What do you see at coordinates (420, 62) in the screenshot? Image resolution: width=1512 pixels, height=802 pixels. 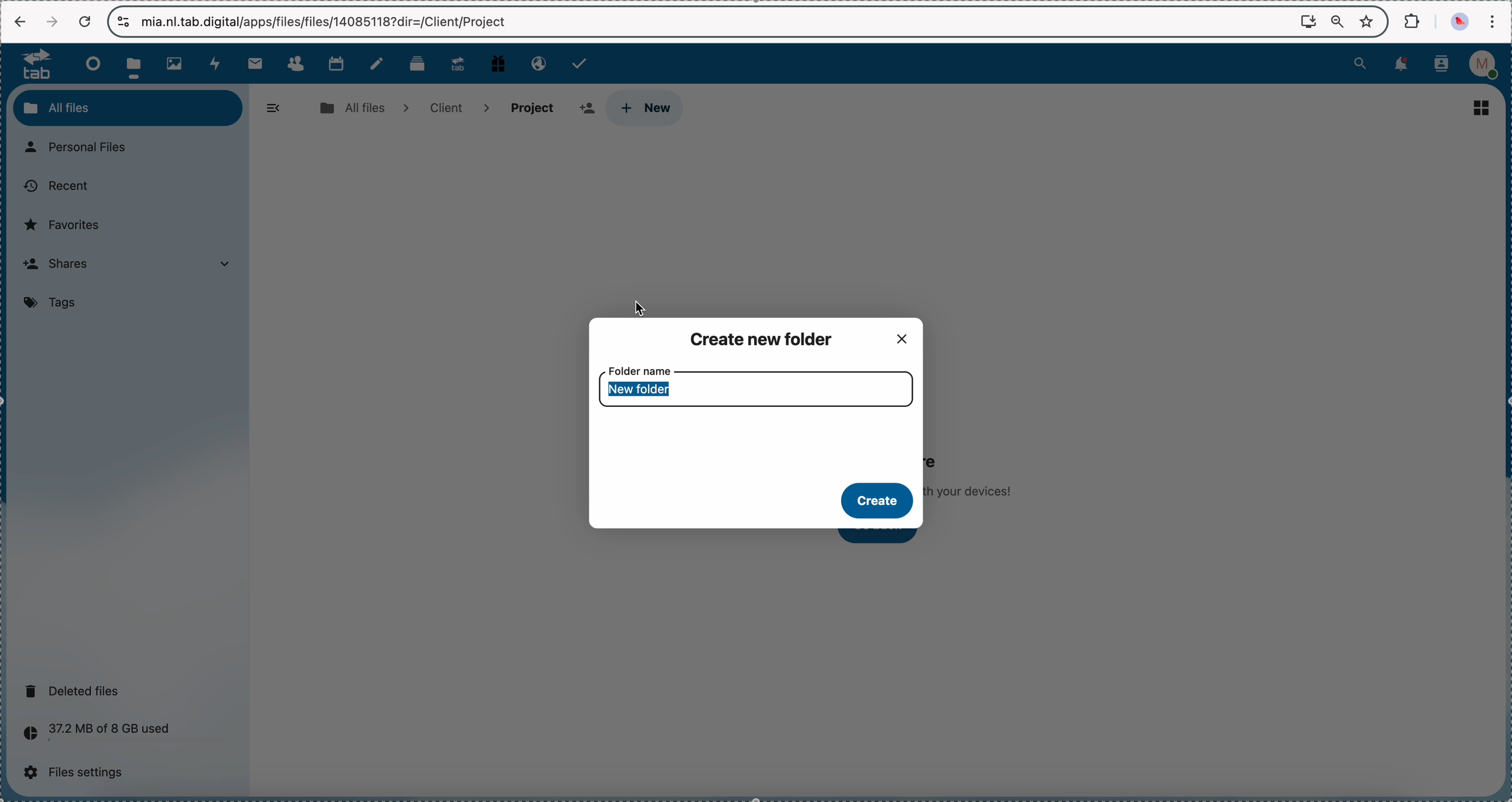 I see `deck` at bounding box center [420, 62].